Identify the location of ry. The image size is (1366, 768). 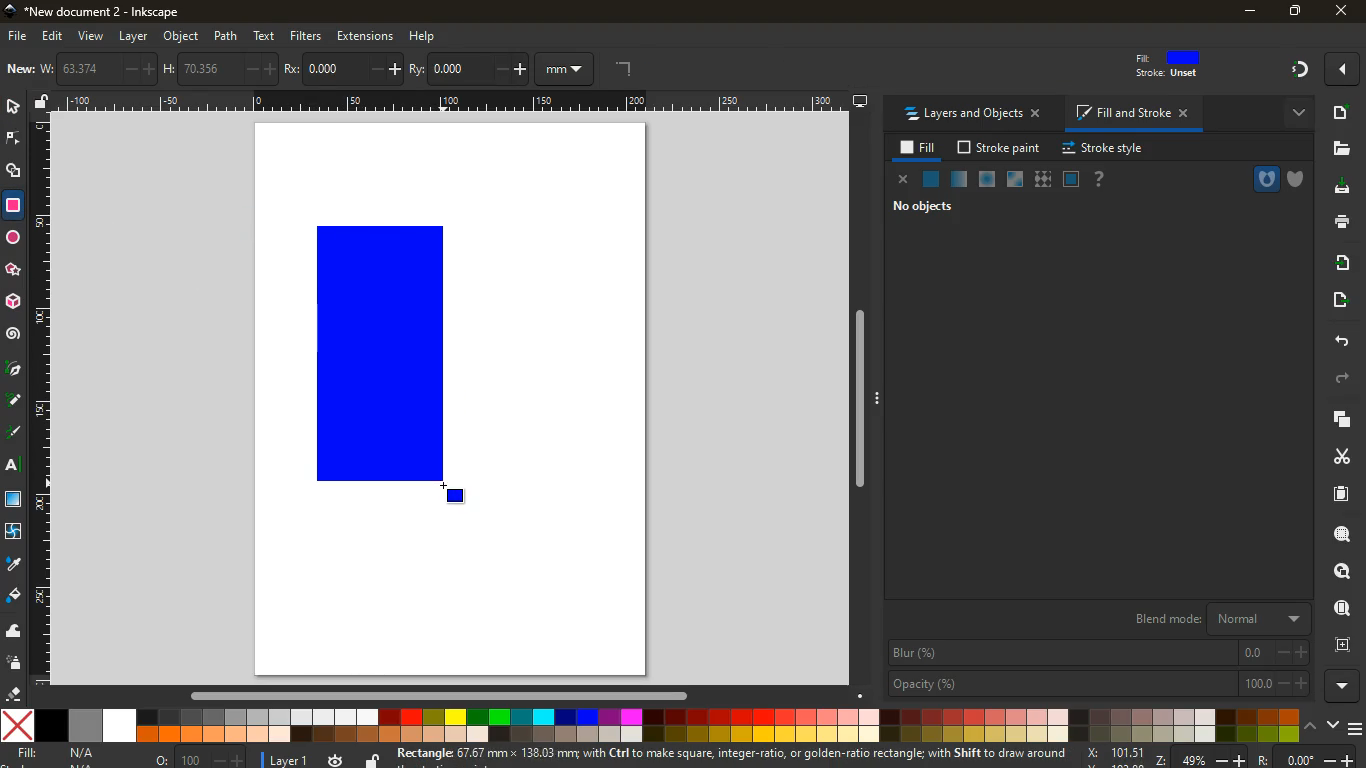
(469, 69).